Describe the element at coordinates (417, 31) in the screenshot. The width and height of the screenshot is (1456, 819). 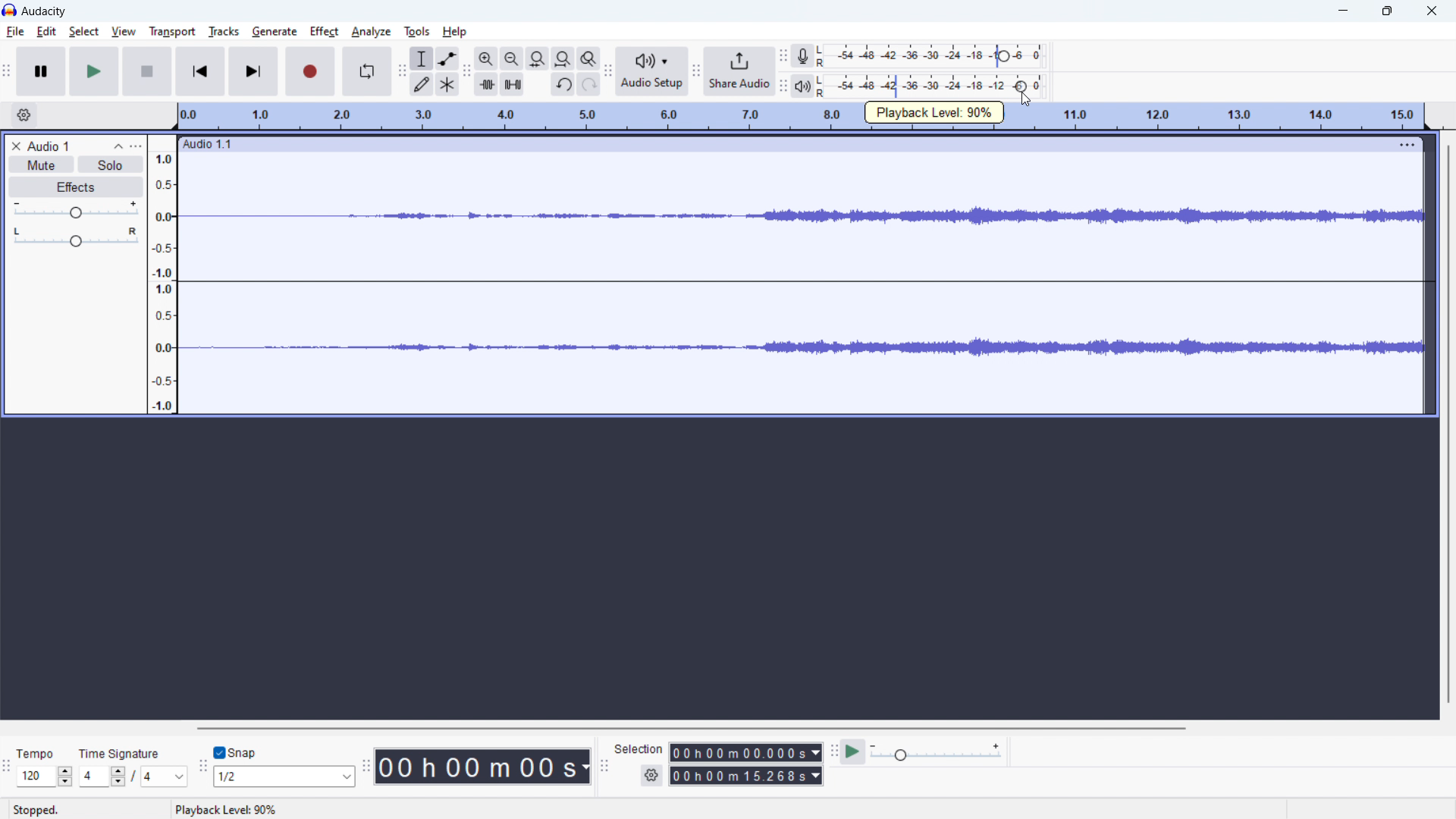
I see `tools` at that location.